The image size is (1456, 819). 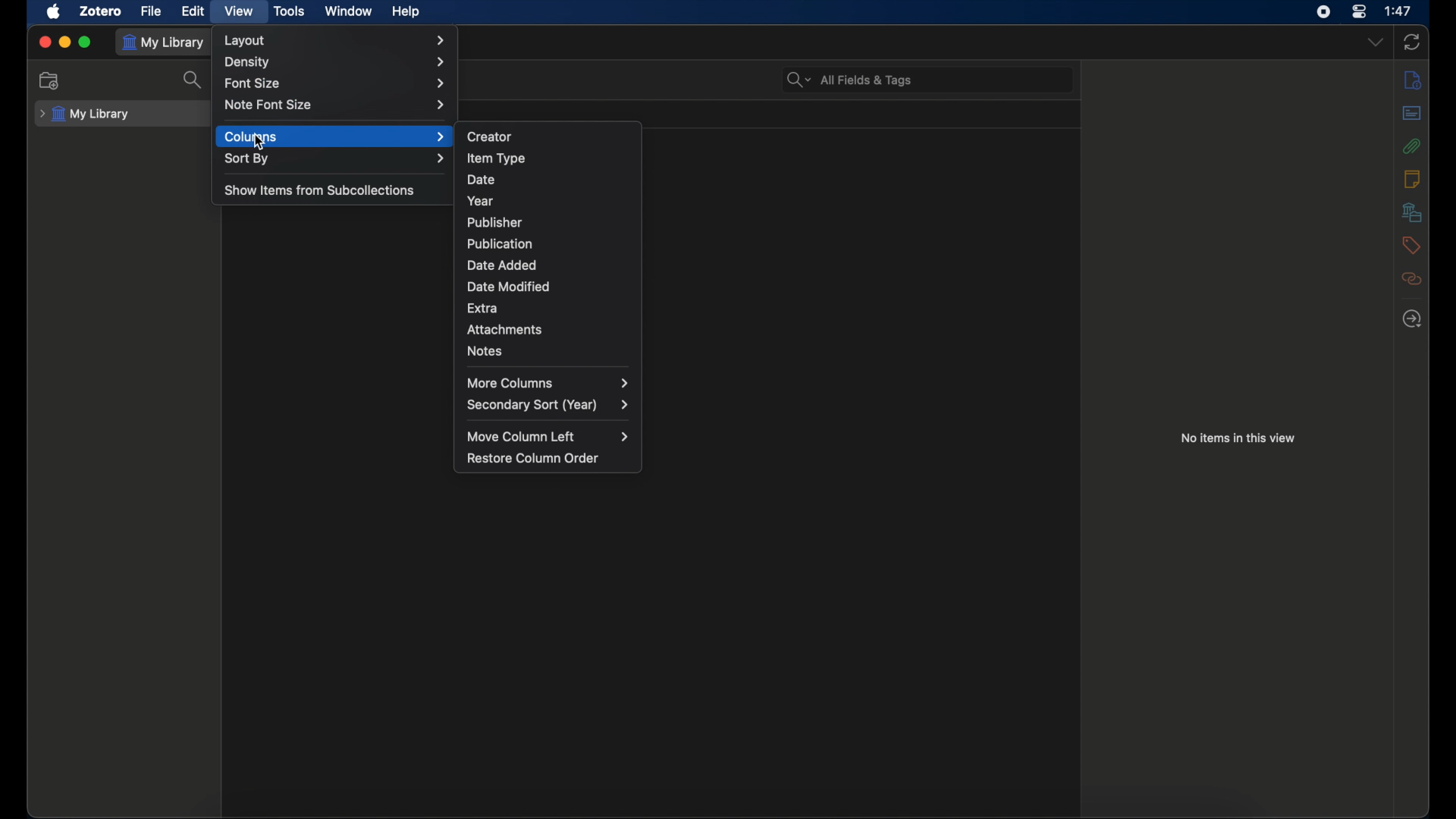 I want to click on move column left, so click(x=551, y=437).